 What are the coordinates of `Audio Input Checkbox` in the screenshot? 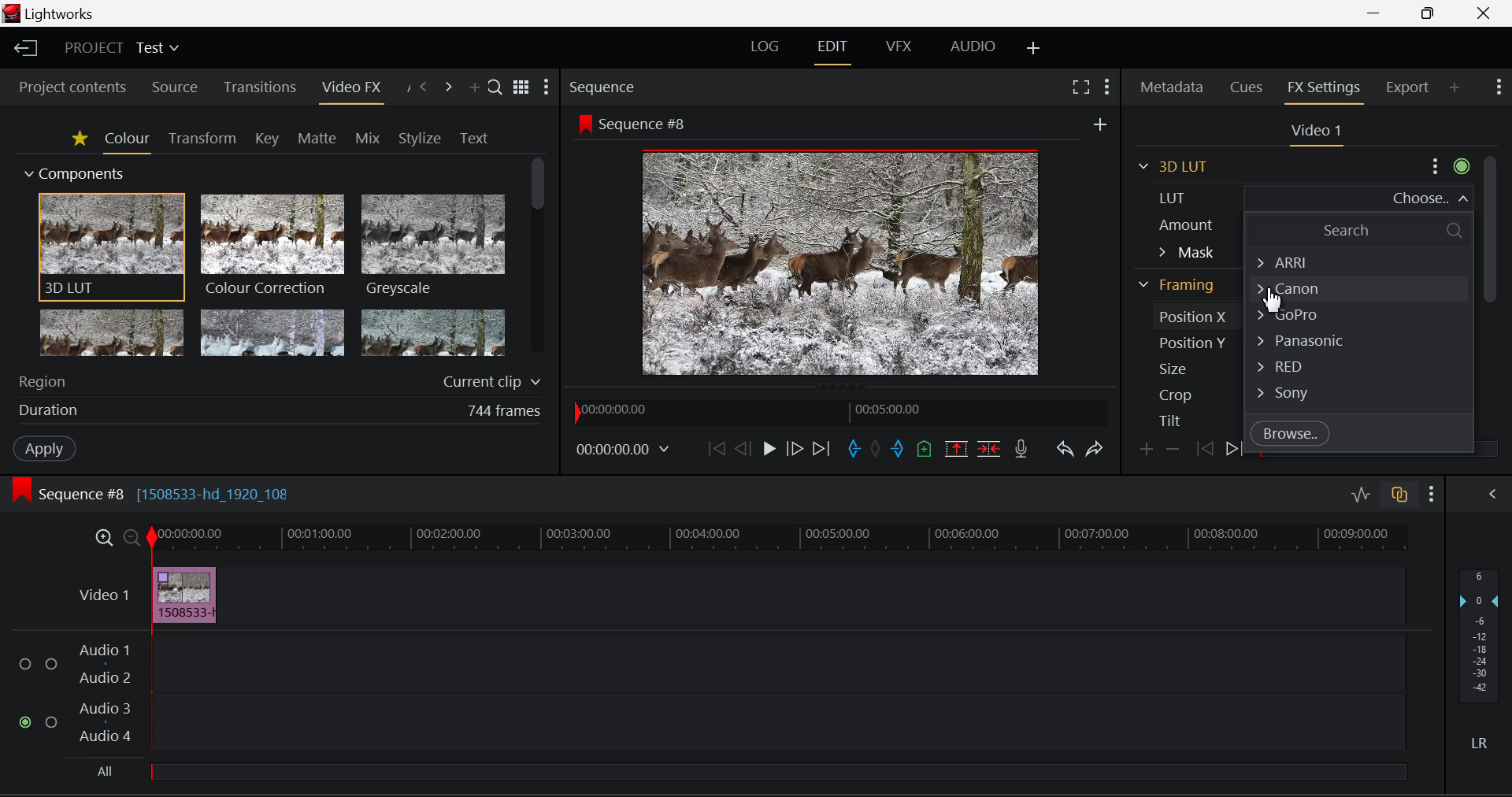 It's located at (53, 664).